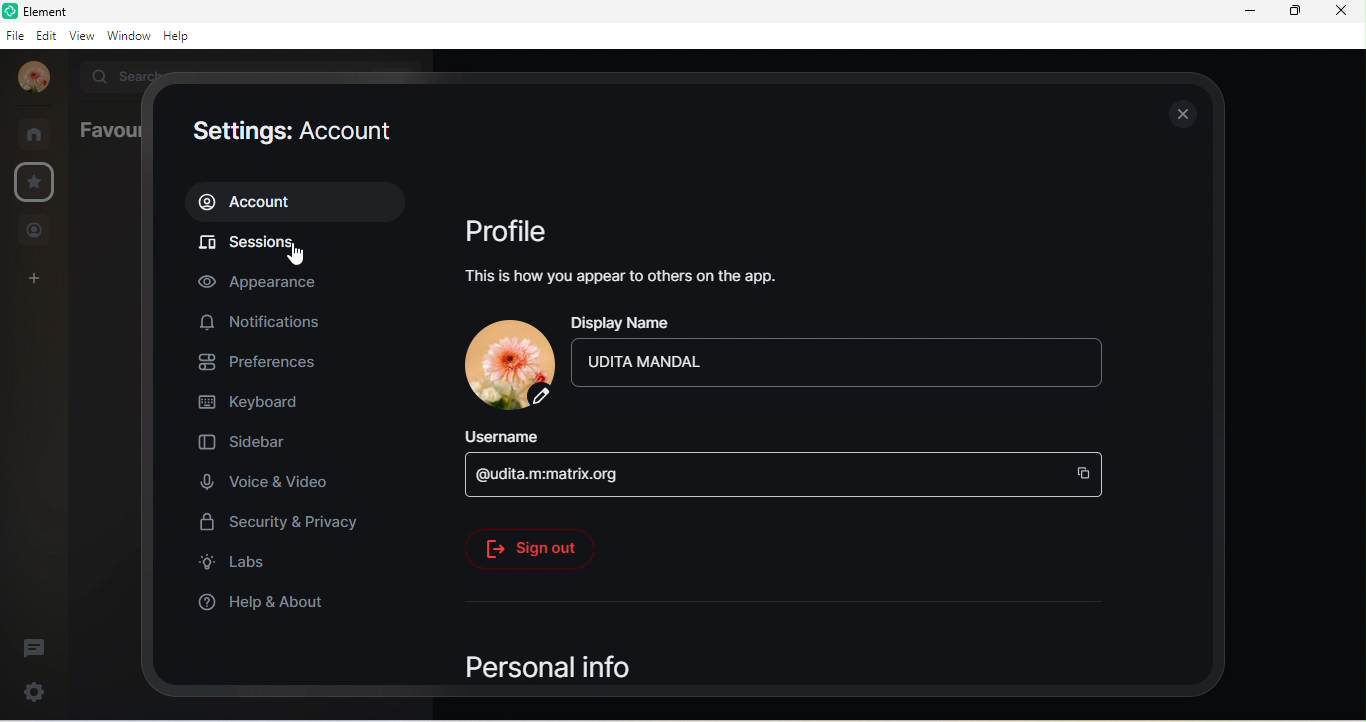 The height and width of the screenshot is (722, 1366). I want to click on @udita.m.matrix.org, so click(784, 474).